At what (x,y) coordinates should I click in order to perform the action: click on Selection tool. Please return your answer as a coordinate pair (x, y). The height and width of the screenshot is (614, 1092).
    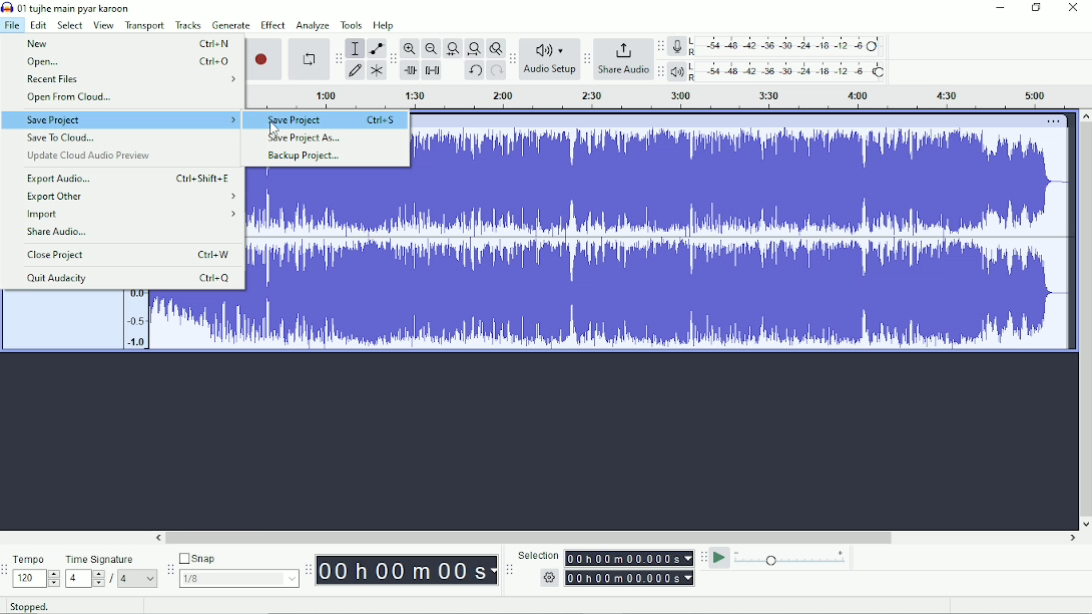
    Looking at the image, I should click on (355, 49).